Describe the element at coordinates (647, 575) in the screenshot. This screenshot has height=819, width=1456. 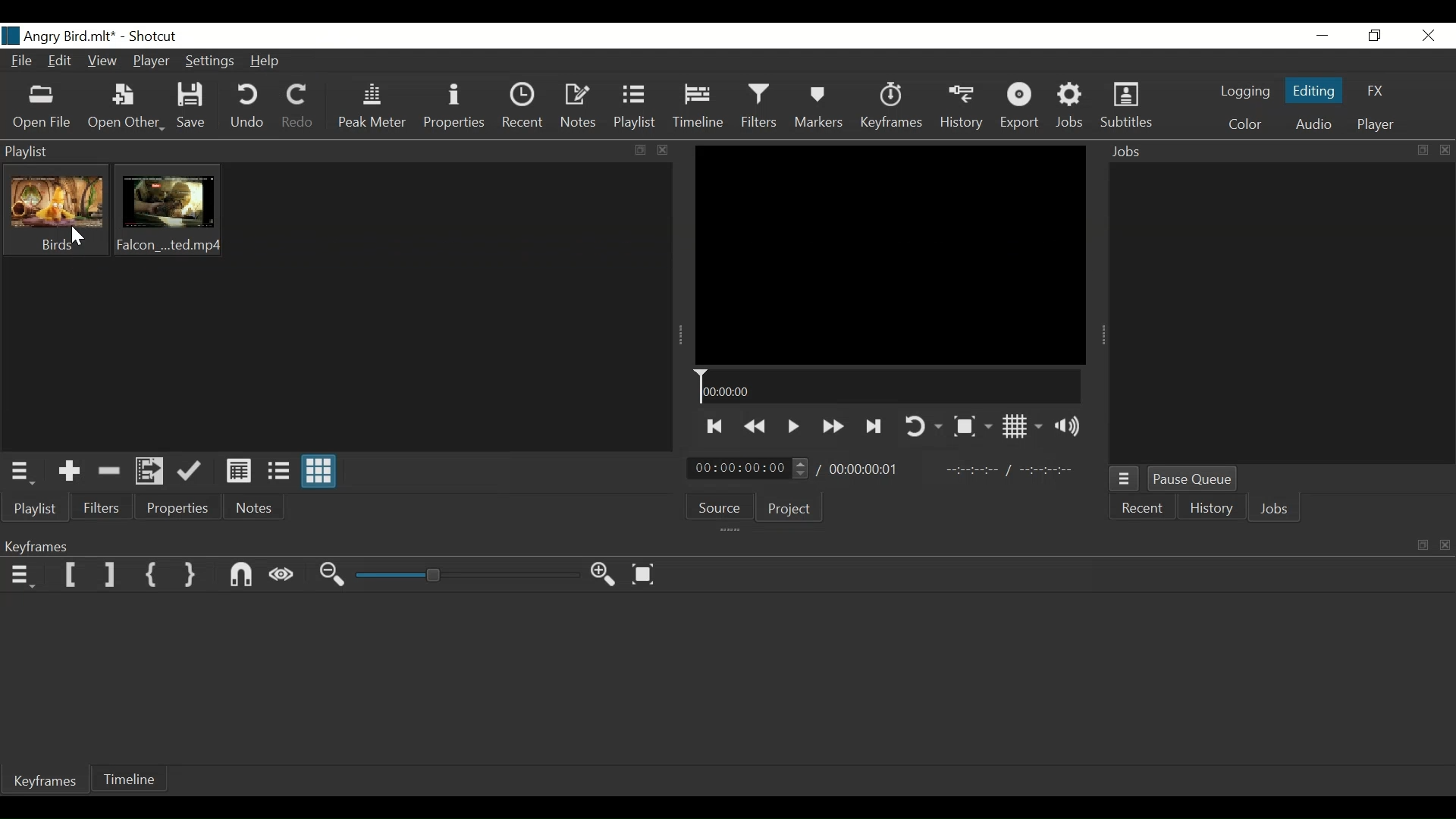
I see `Zoom keyframe to fit` at that location.